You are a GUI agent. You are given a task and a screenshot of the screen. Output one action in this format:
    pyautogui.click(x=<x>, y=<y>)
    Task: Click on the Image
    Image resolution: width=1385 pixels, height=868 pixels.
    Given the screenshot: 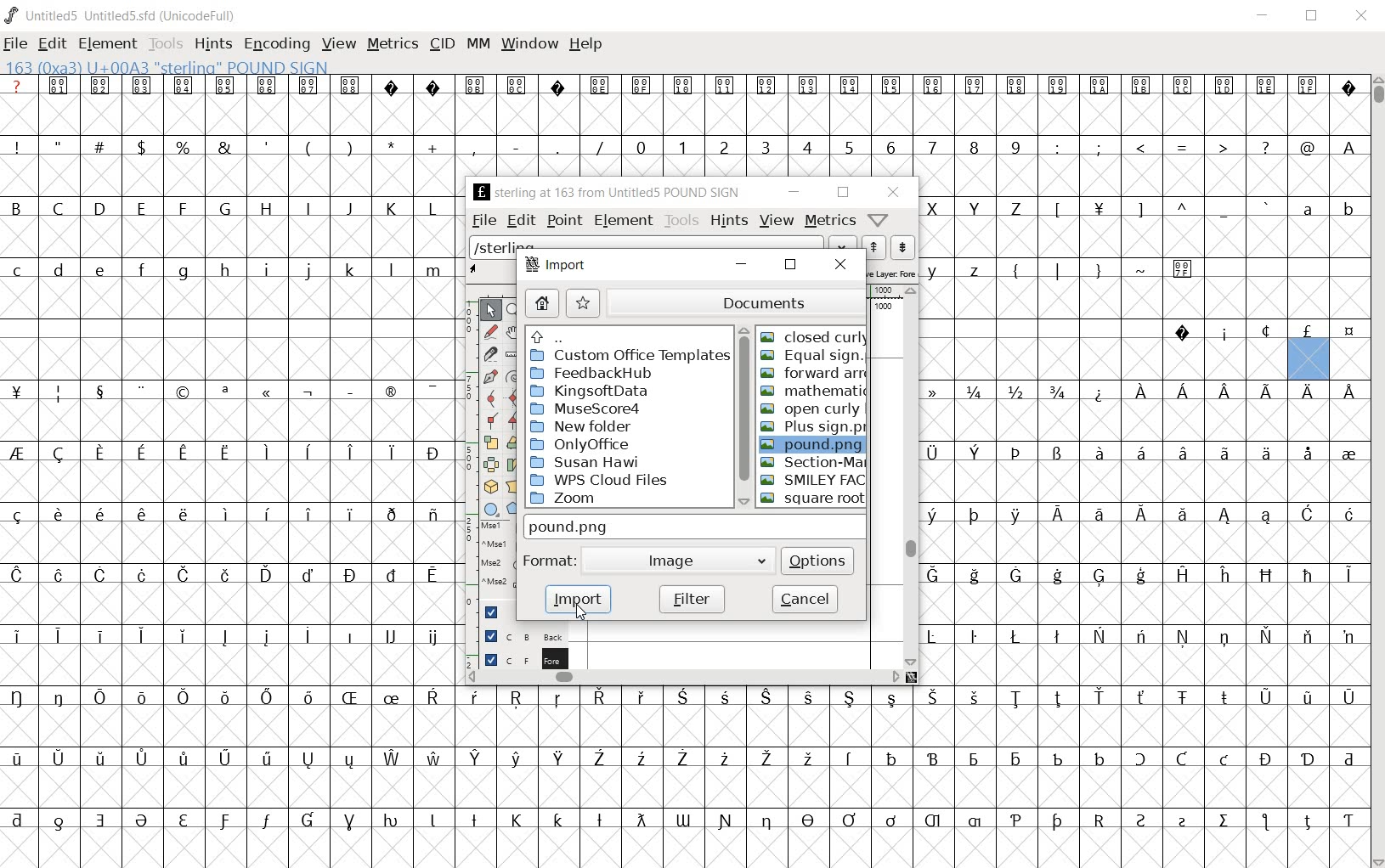 What is the action you would take?
    pyautogui.click(x=676, y=564)
    